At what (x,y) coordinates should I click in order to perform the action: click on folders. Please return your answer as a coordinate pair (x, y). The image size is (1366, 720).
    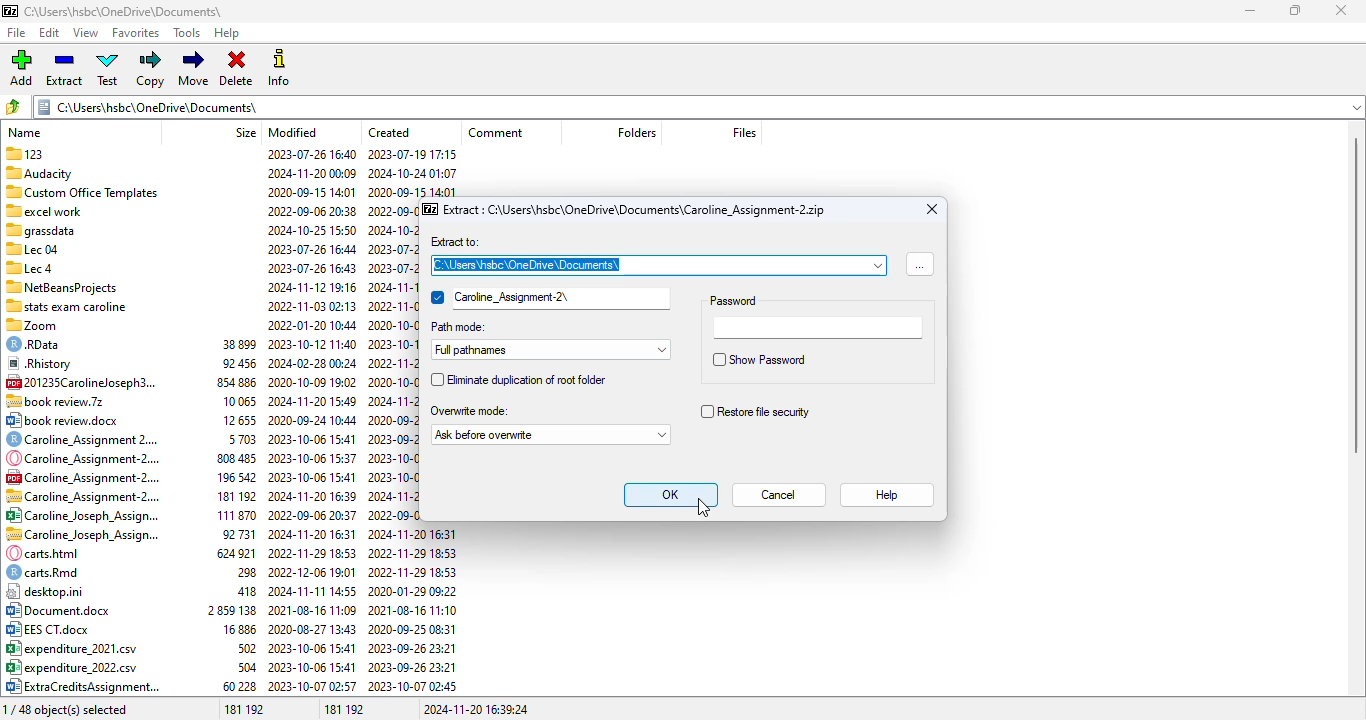
    Looking at the image, I should click on (635, 133).